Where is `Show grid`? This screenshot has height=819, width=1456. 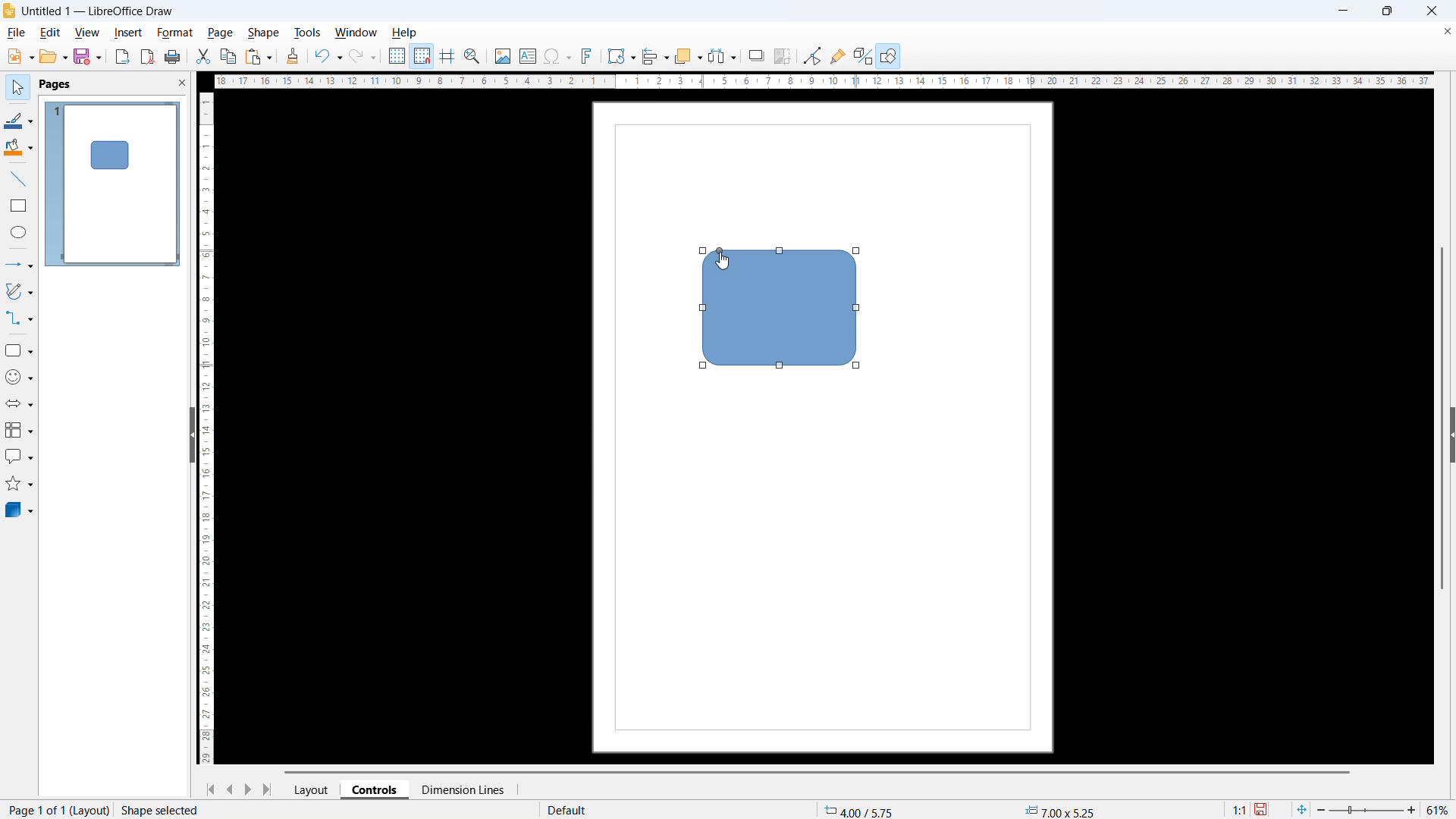
Show grid is located at coordinates (397, 57).